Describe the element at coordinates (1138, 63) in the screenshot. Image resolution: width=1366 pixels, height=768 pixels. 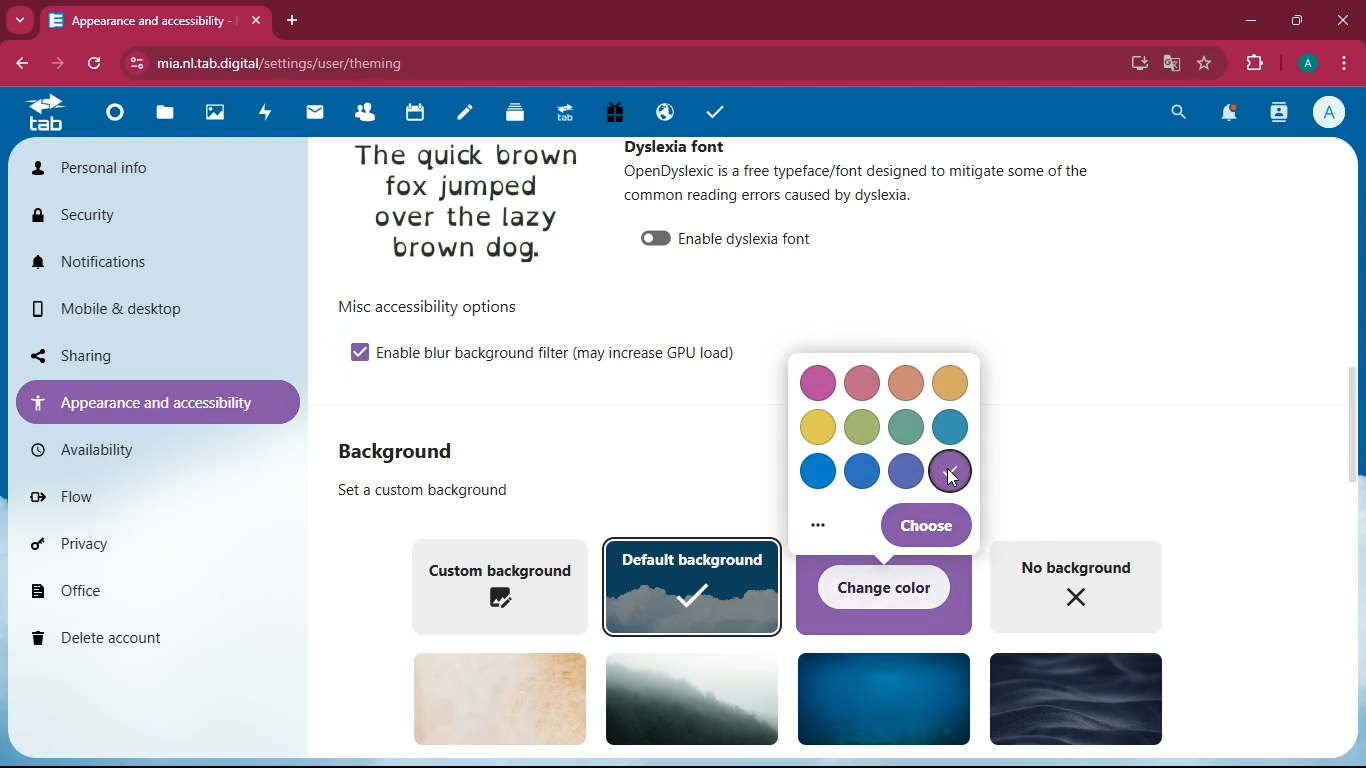
I see `desktop` at that location.